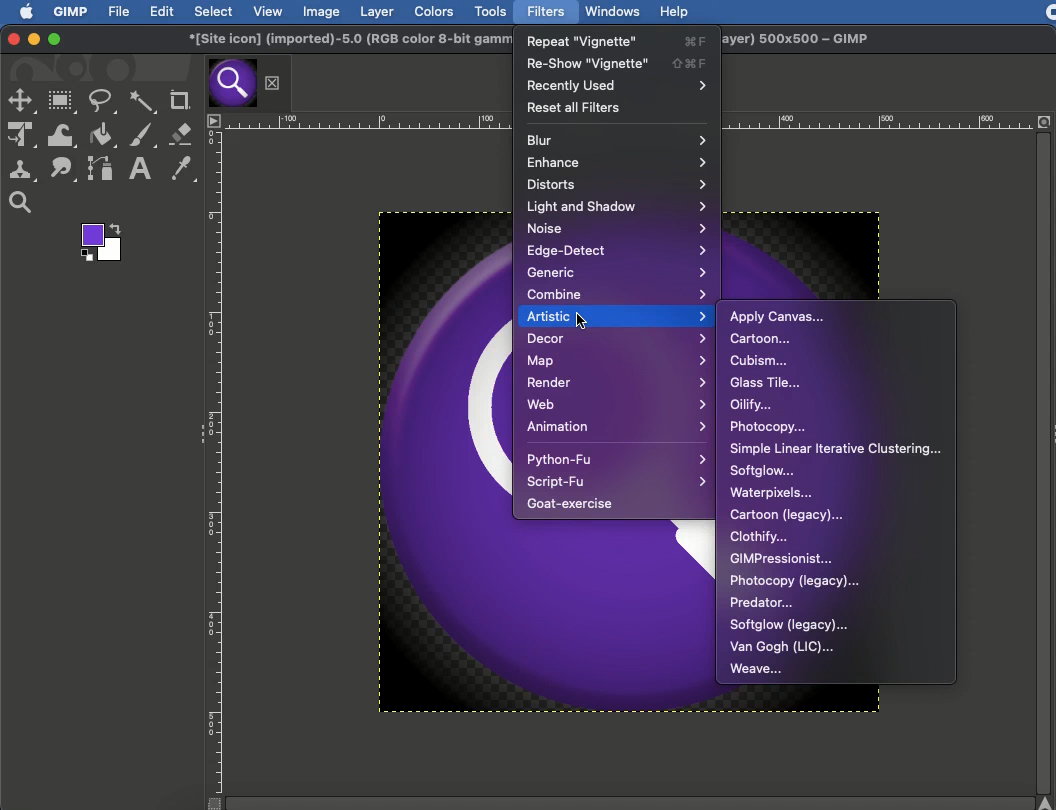  What do you see at coordinates (21, 136) in the screenshot?
I see `Unified transformation` at bounding box center [21, 136].